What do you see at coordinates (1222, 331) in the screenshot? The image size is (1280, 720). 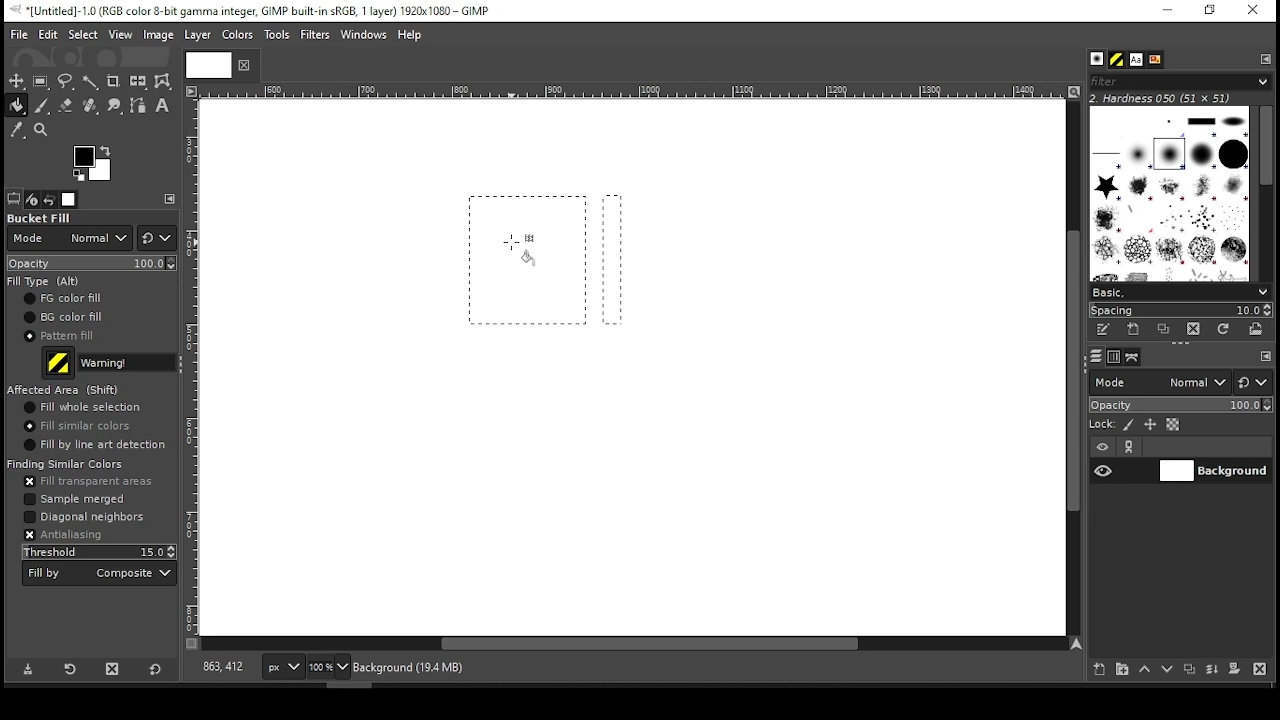 I see `refresh brushes` at bounding box center [1222, 331].